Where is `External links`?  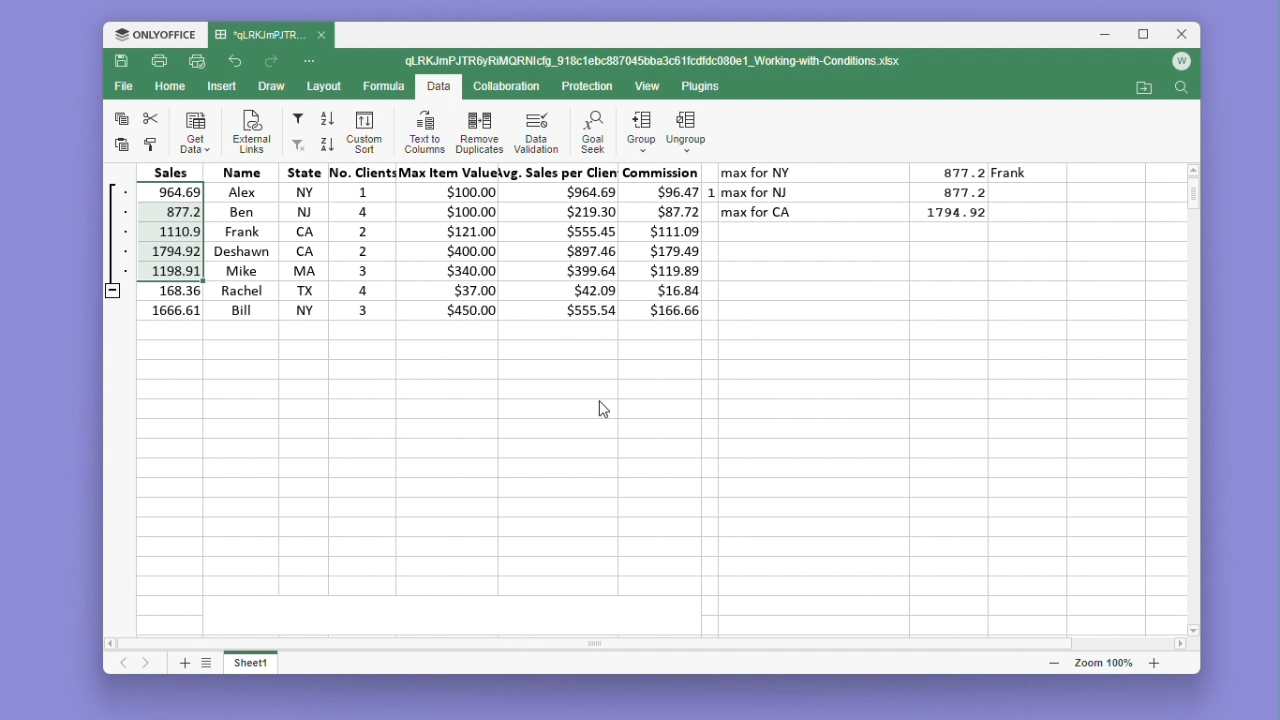
External links is located at coordinates (248, 132).